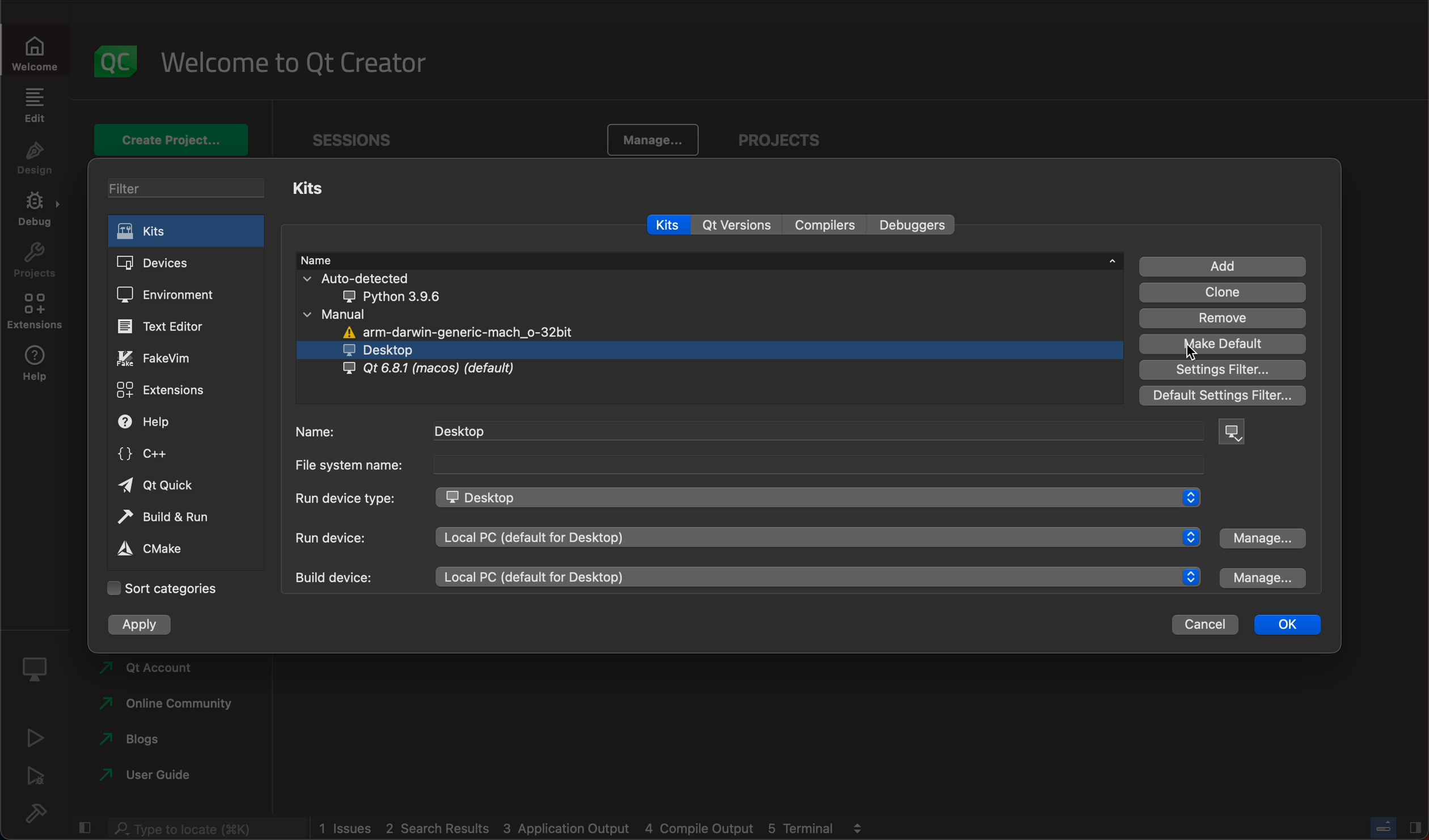  Describe the element at coordinates (82, 828) in the screenshot. I see `hide/show left sidebar` at that location.